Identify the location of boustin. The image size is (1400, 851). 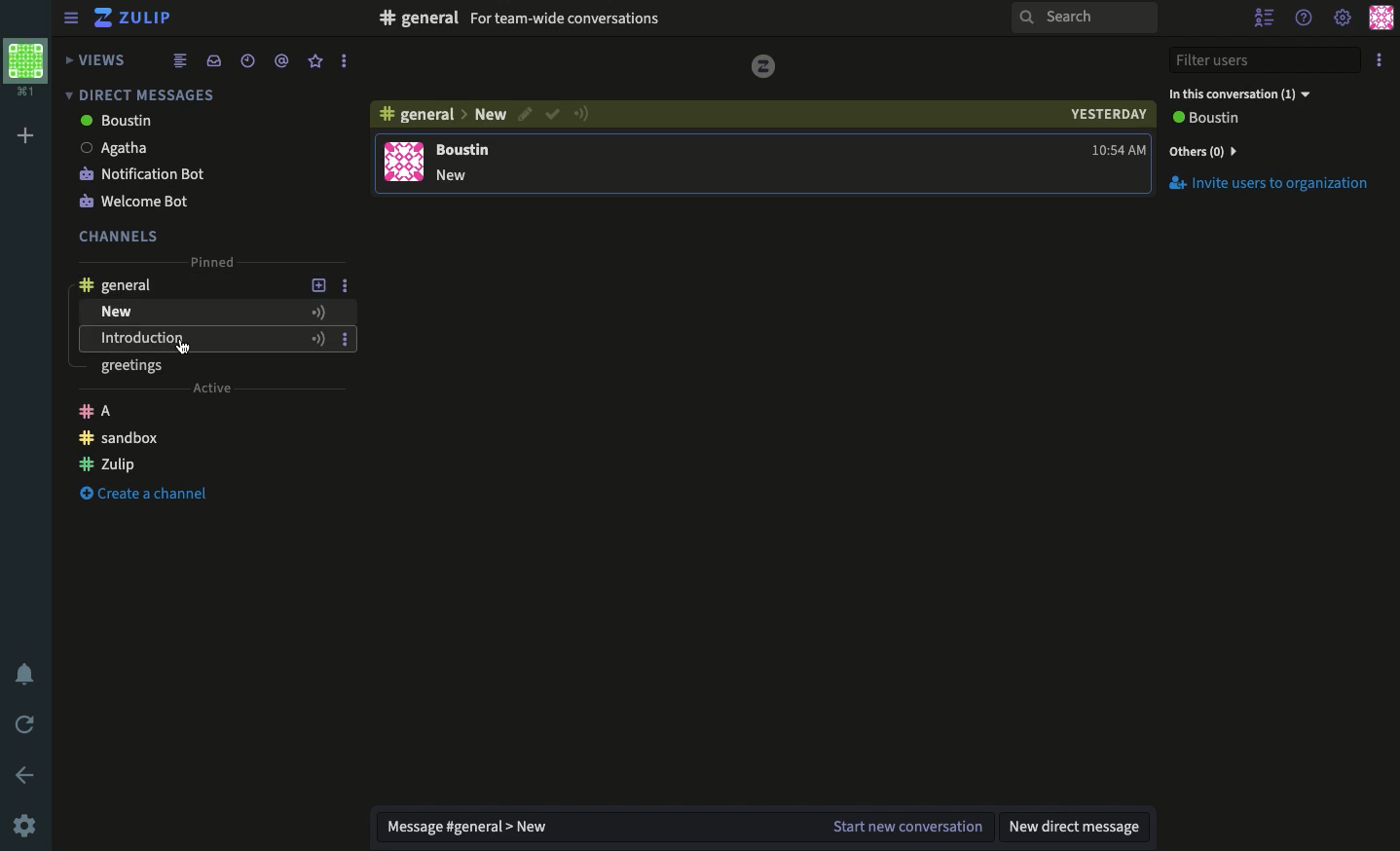
(182, 122).